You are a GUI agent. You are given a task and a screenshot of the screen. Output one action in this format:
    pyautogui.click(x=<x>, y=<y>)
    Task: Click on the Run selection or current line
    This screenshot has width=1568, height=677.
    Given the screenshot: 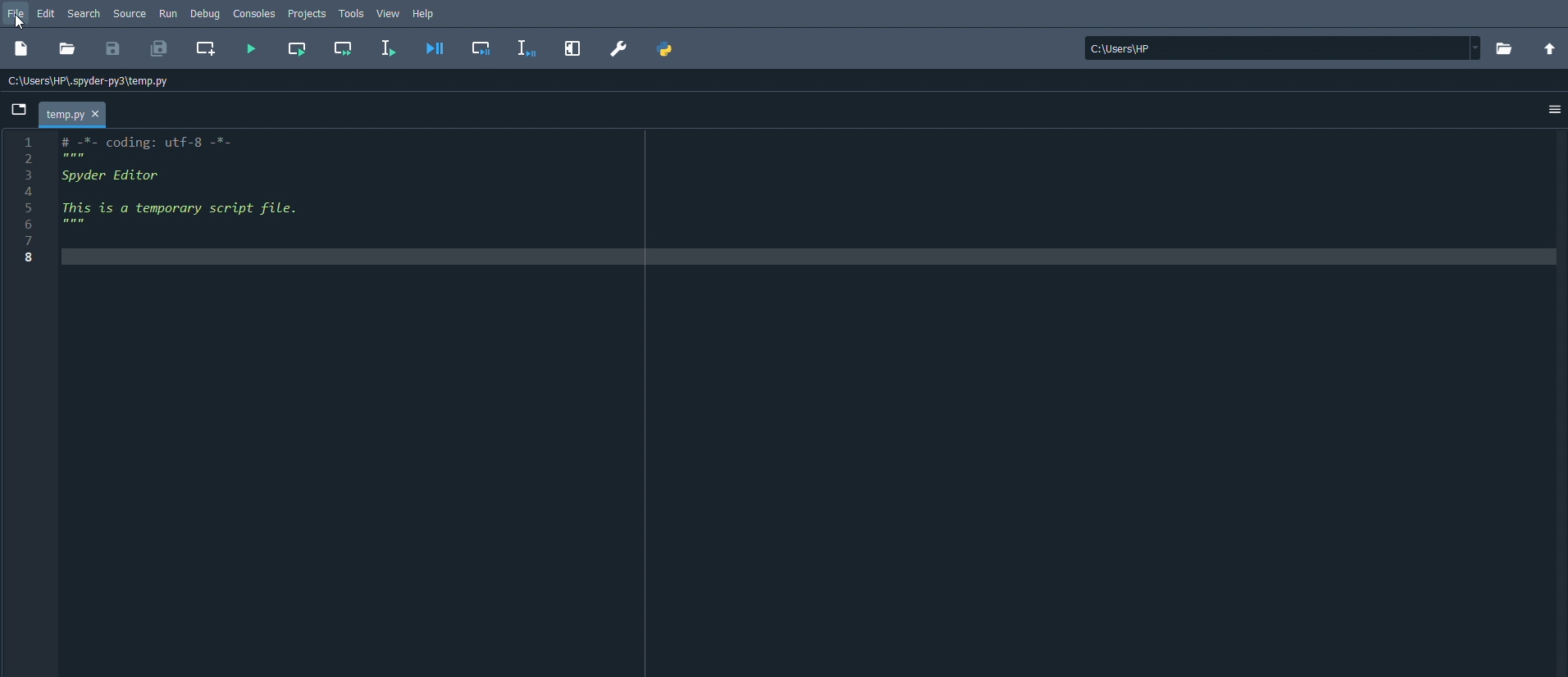 What is the action you would take?
    pyautogui.click(x=386, y=48)
    